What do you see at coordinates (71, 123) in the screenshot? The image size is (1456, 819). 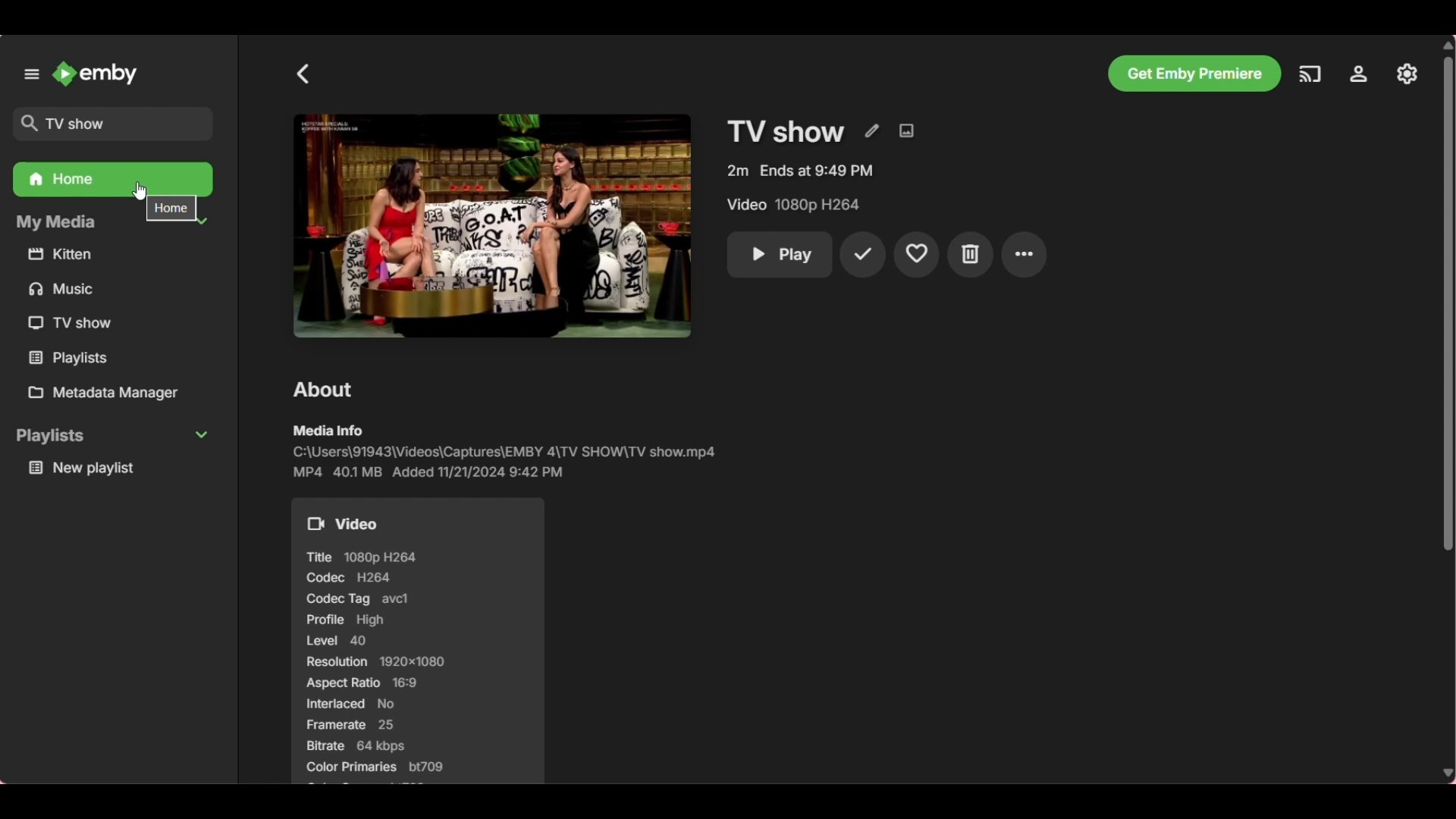 I see `TV show` at bounding box center [71, 123].